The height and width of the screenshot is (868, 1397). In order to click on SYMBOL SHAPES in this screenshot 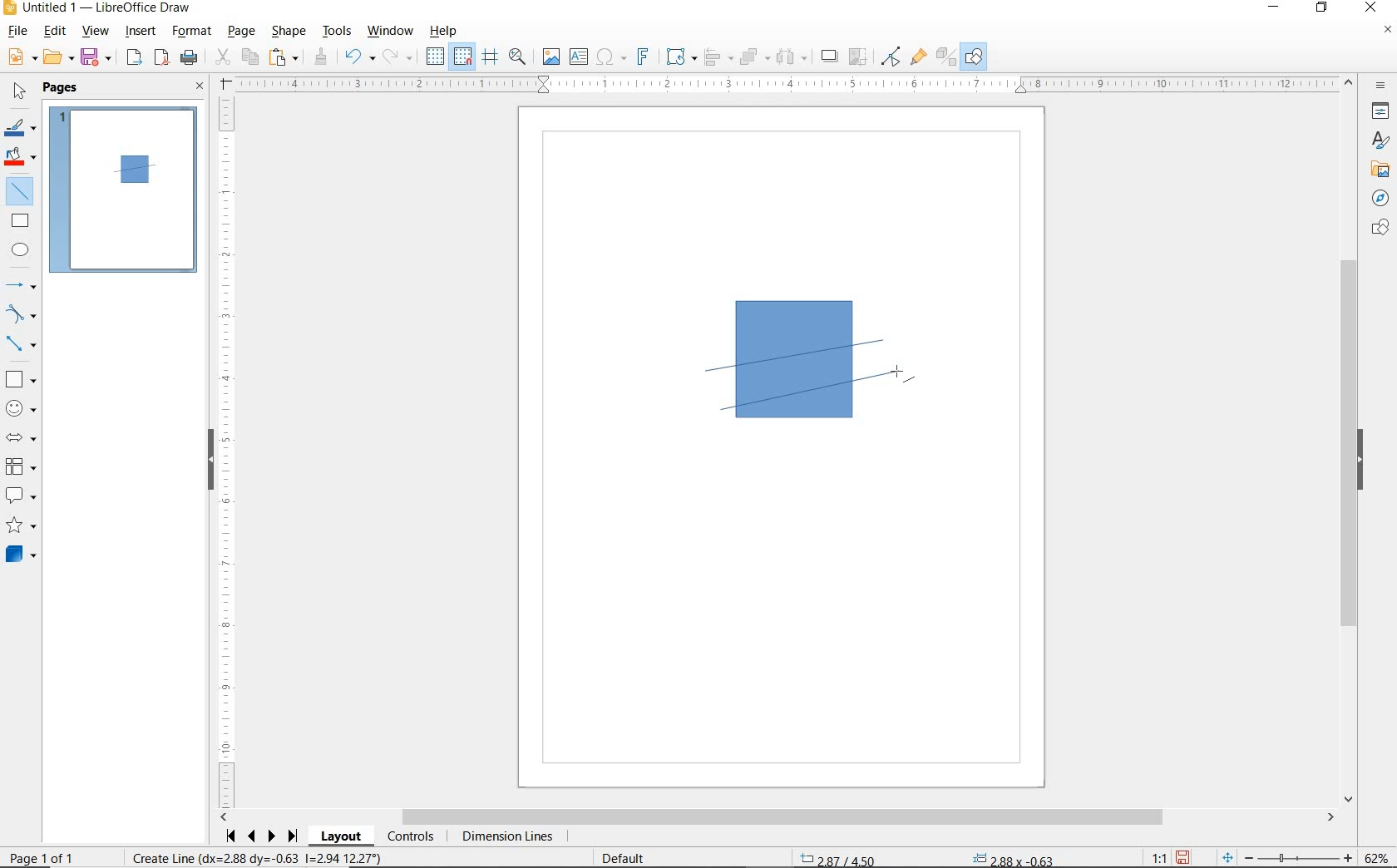, I will do `click(22, 407)`.